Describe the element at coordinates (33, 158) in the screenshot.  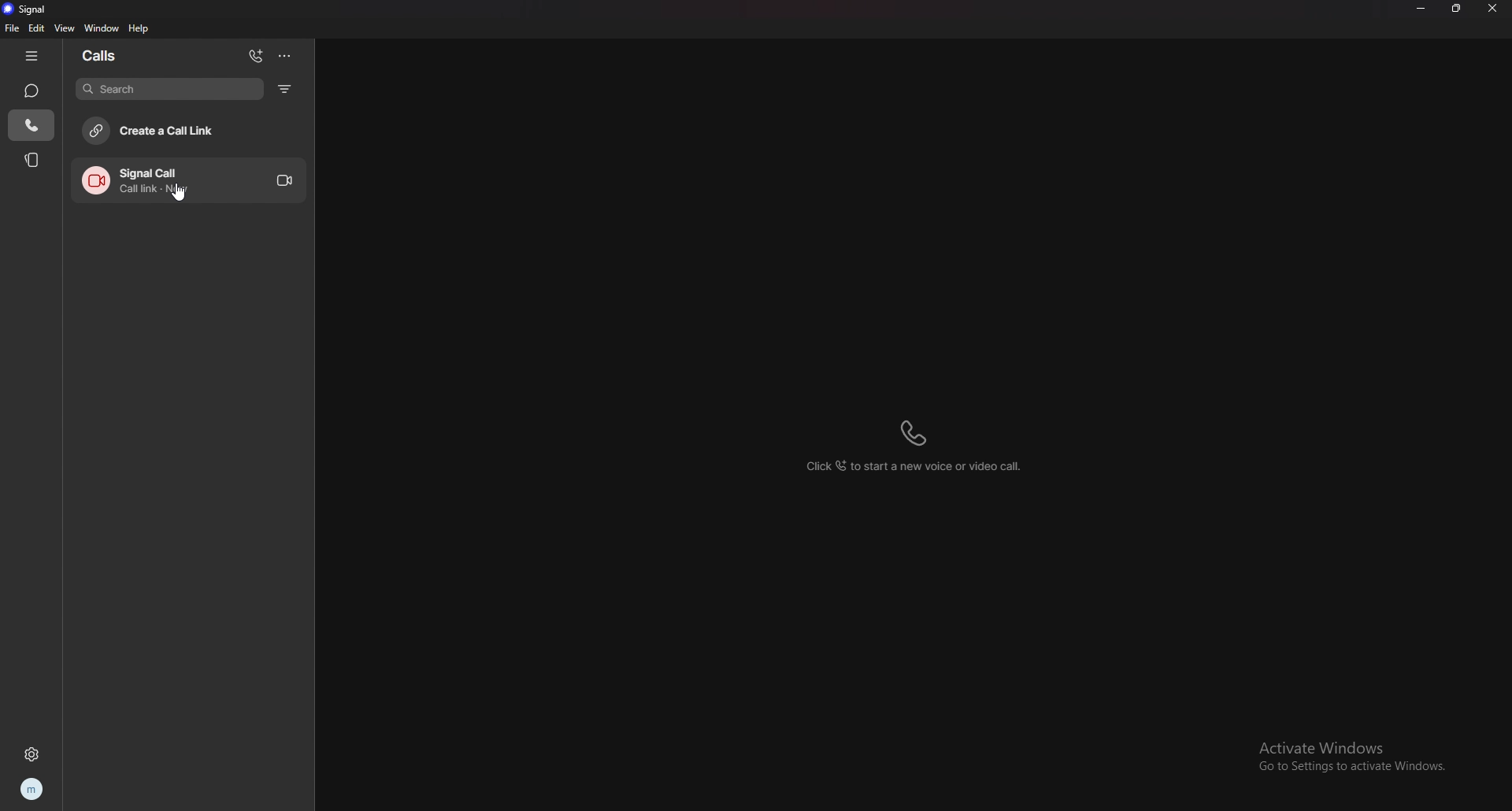
I see `stories` at that location.